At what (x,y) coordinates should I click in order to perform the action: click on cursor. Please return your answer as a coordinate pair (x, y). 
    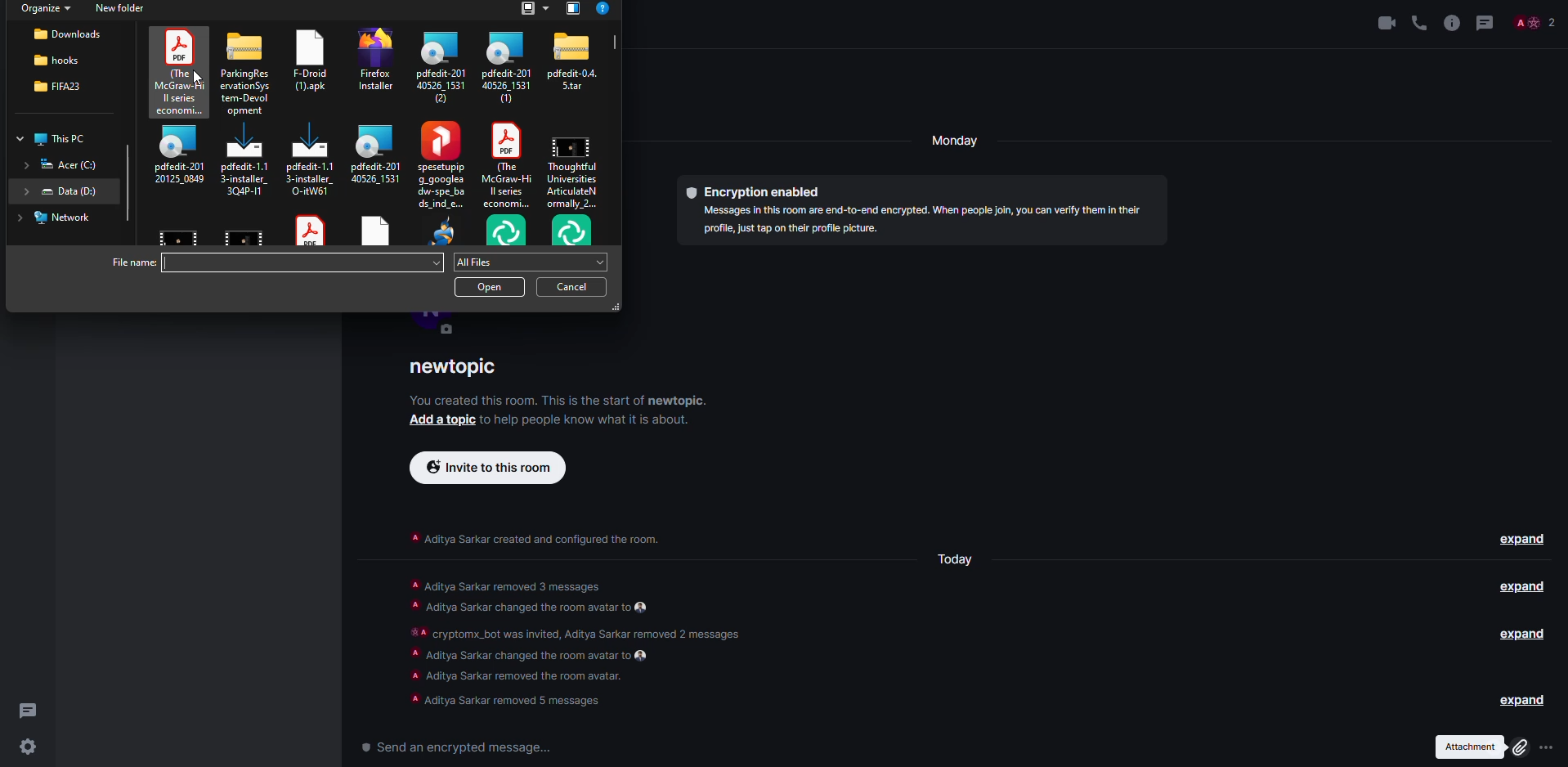
    Looking at the image, I should click on (1529, 759).